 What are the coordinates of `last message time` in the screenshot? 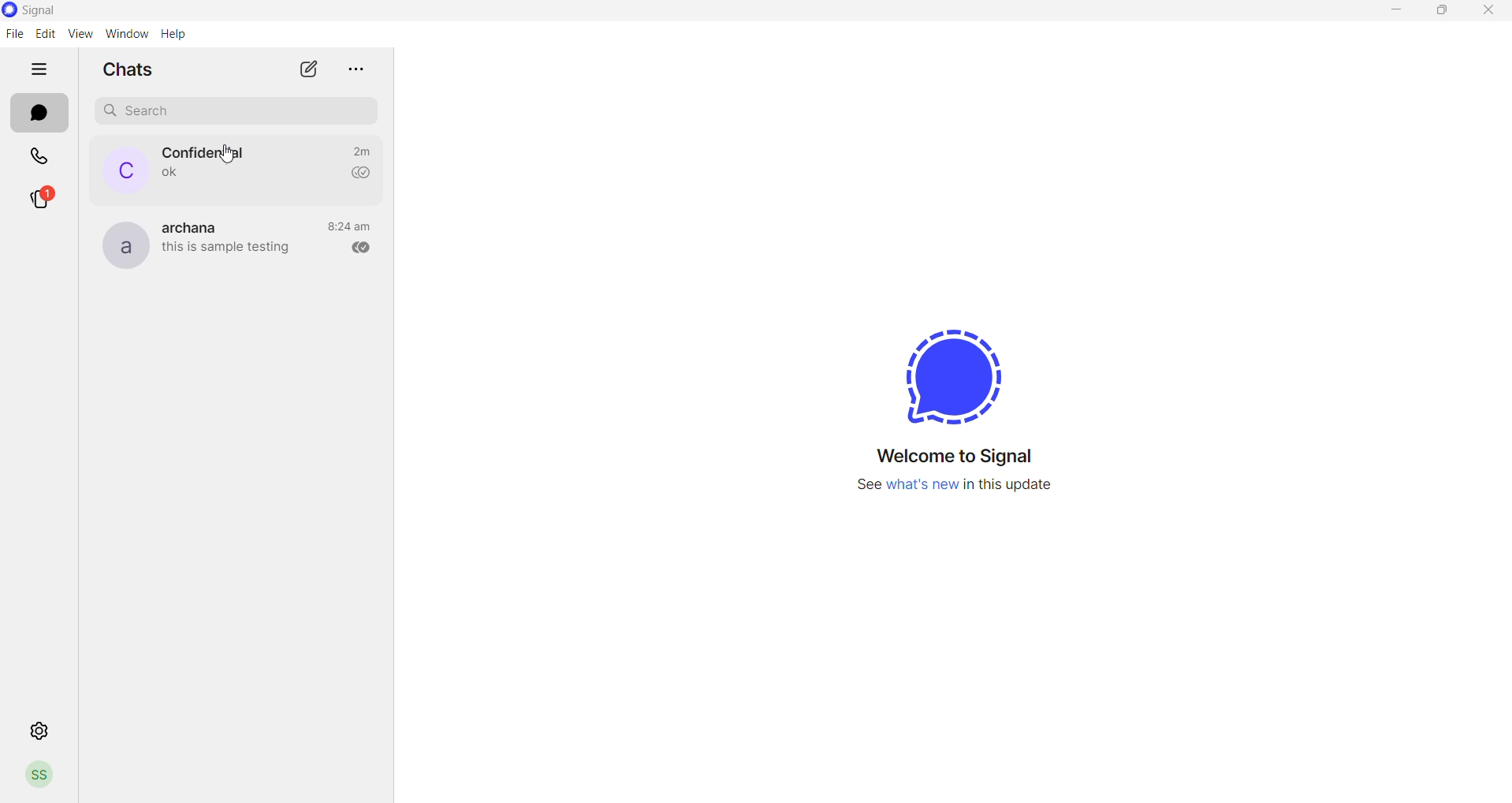 It's located at (349, 226).